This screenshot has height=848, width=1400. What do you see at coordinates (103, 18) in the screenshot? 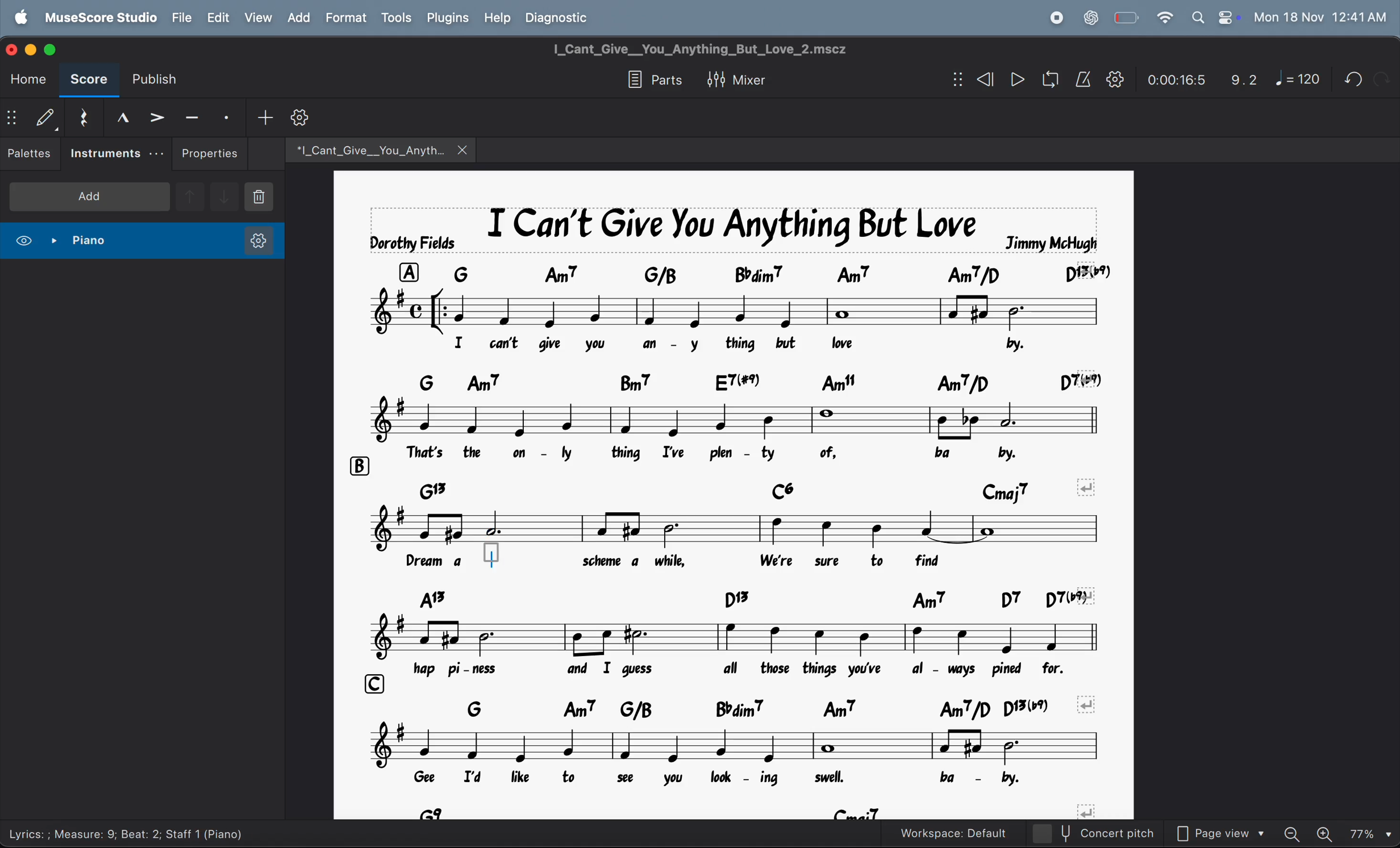
I see `musescore studio` at bounding box center [103, 18].